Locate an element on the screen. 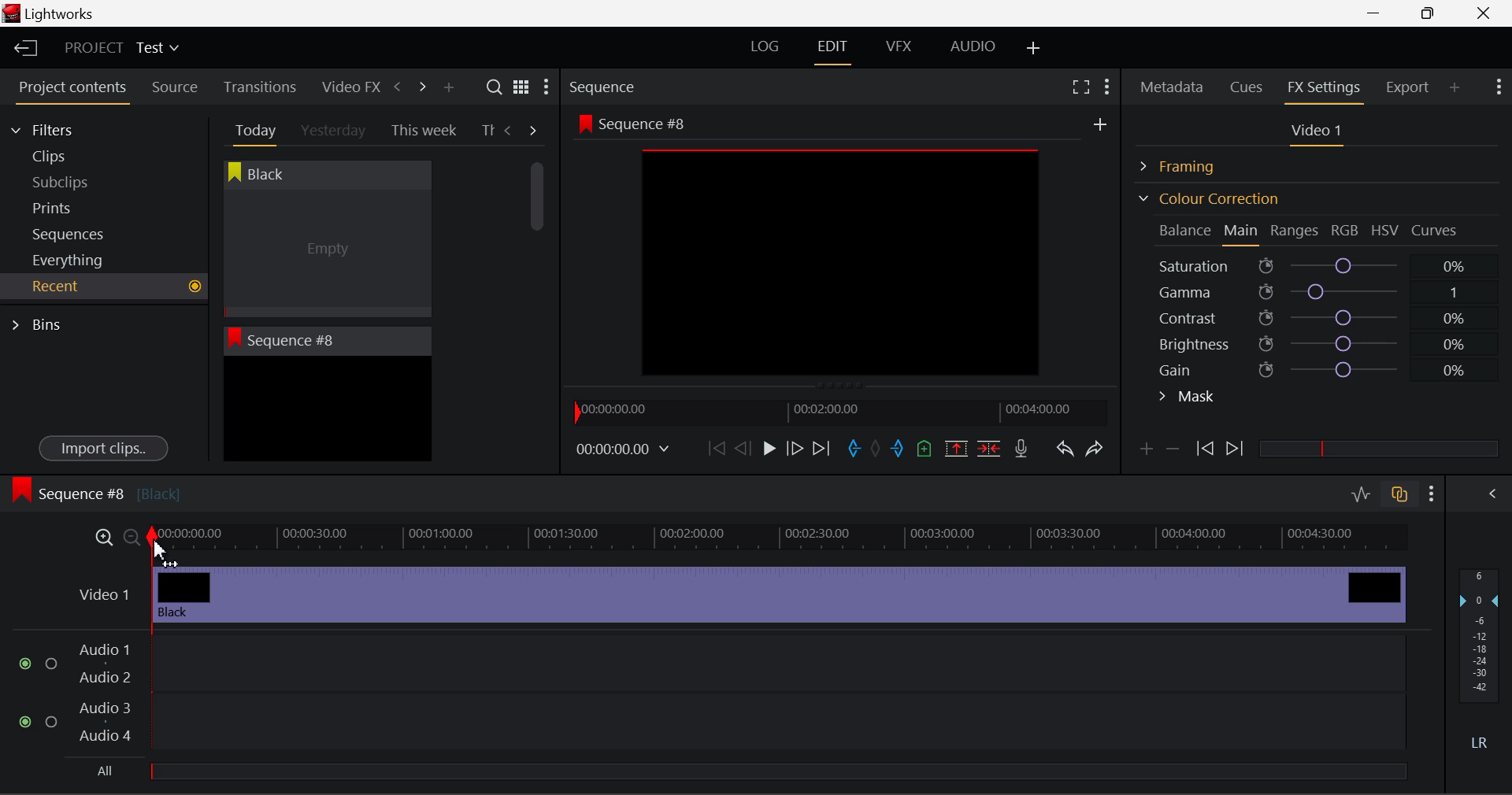 This screenshot has width=1512, height=795. LOG Layout is located at coordinates (764, 46).